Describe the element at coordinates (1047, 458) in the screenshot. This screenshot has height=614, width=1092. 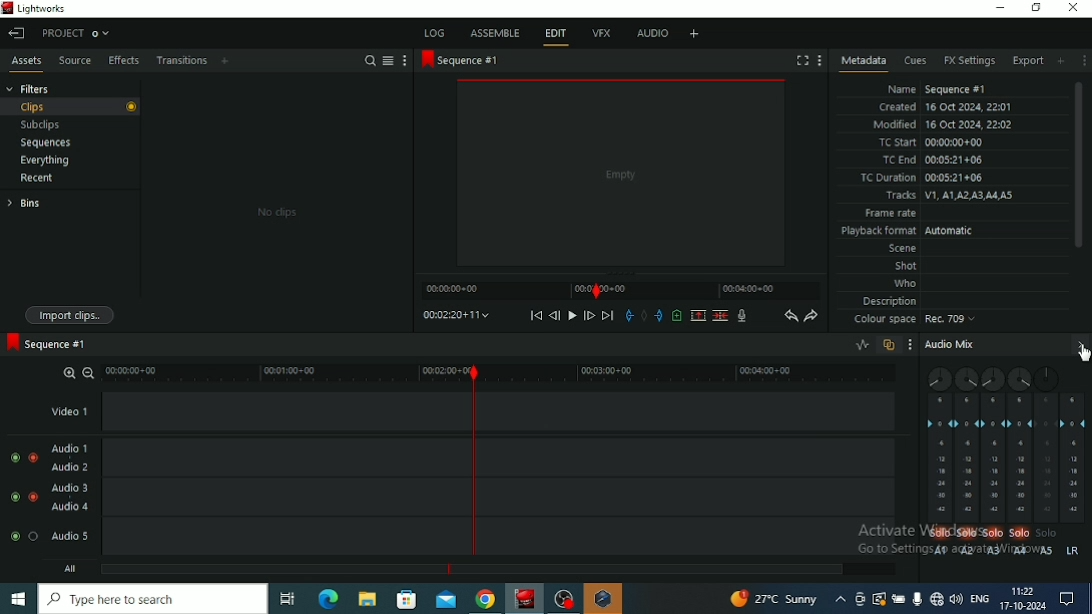
I see `Audio Mix A5` at that location.